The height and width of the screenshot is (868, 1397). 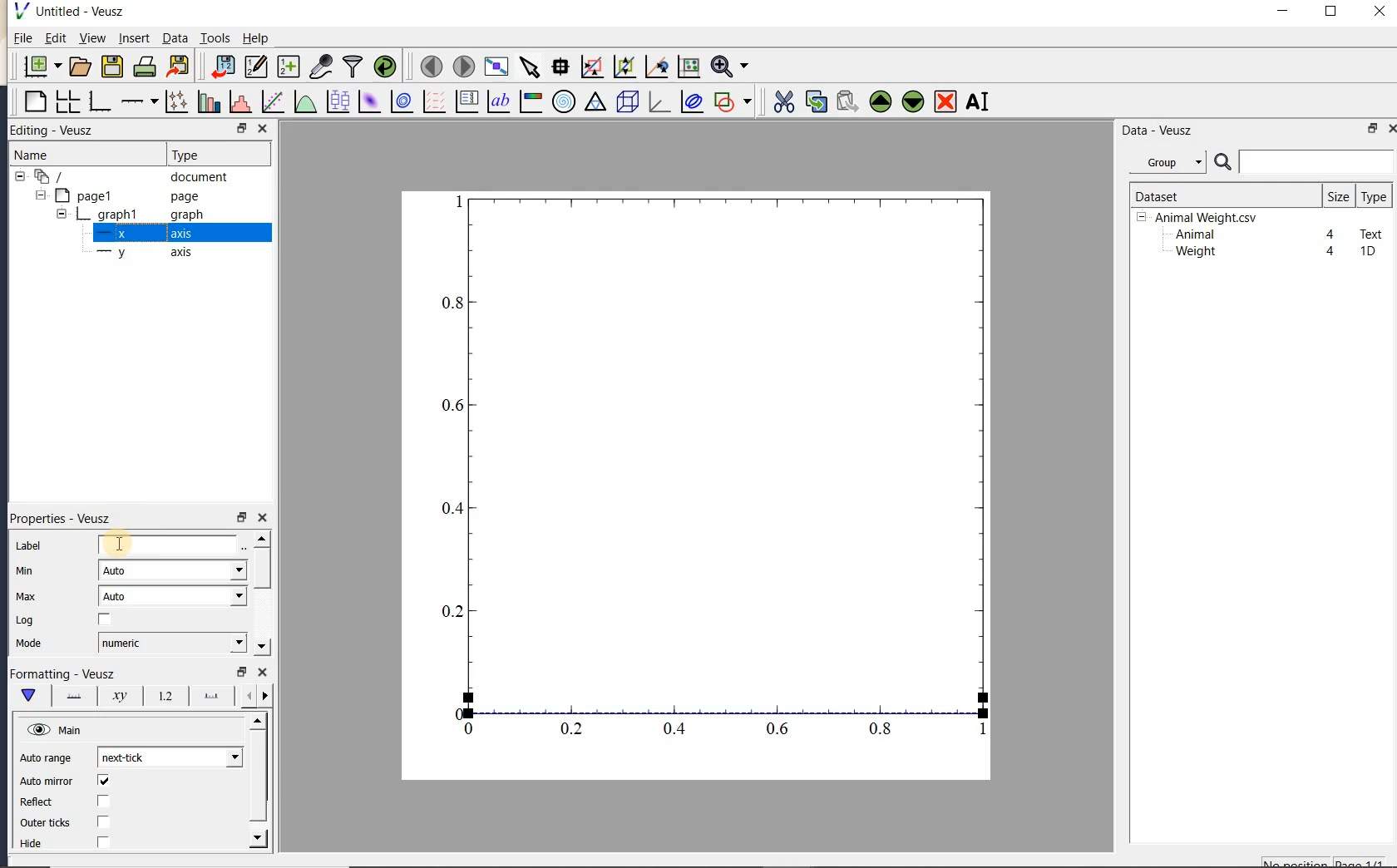 What do you see at coordinates (496, 67) in the screenshot?
I see `view plot full screen` at bounding box center [496, 67].